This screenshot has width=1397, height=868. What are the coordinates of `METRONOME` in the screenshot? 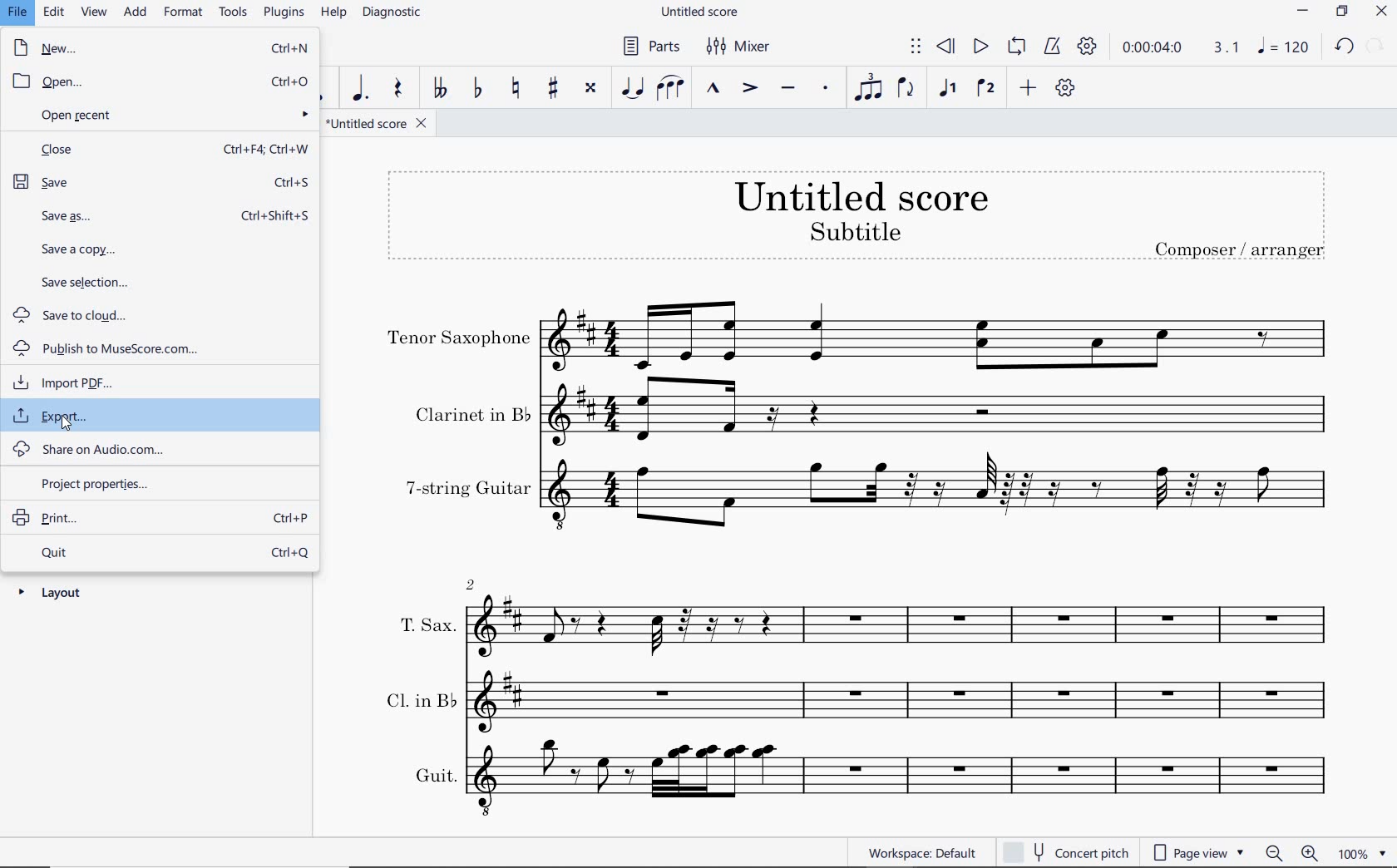 It's located at (1054, 47).